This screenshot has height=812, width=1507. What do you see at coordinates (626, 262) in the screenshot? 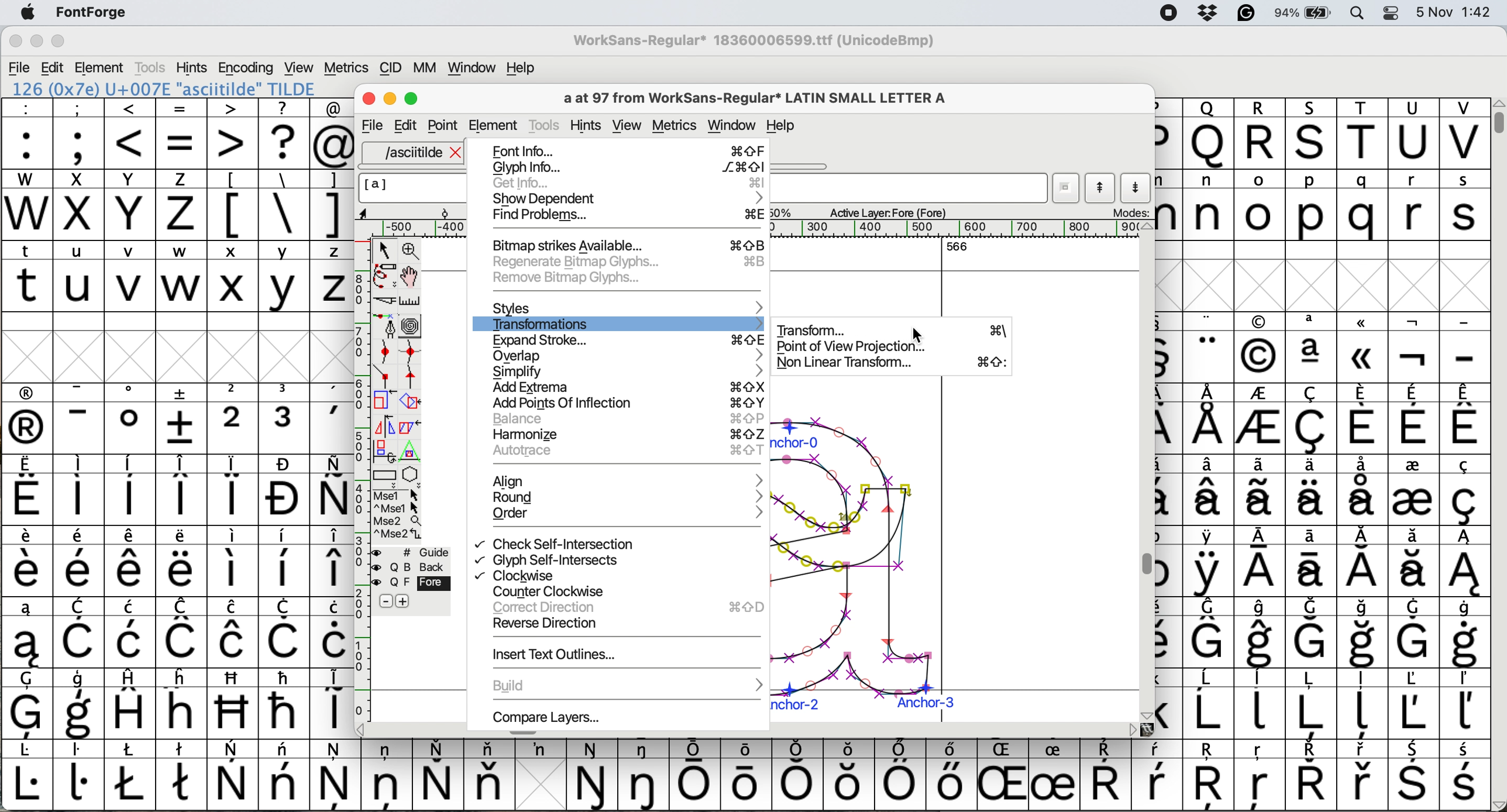
I see `regenrate bitmap glyphs` at bounding box center [626, 262].